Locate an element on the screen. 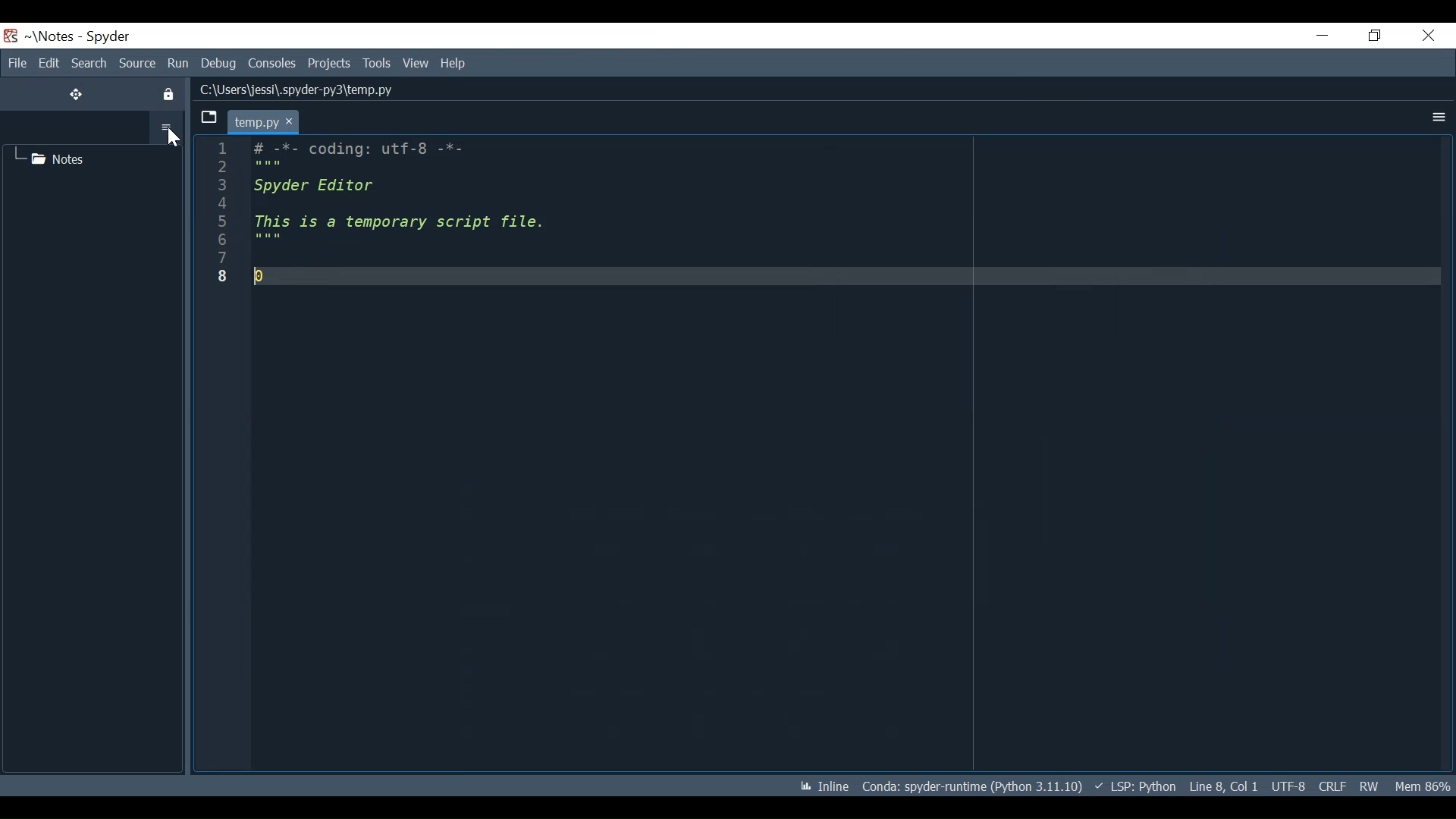  Browse Tabs is located at coordinates (207, 118).